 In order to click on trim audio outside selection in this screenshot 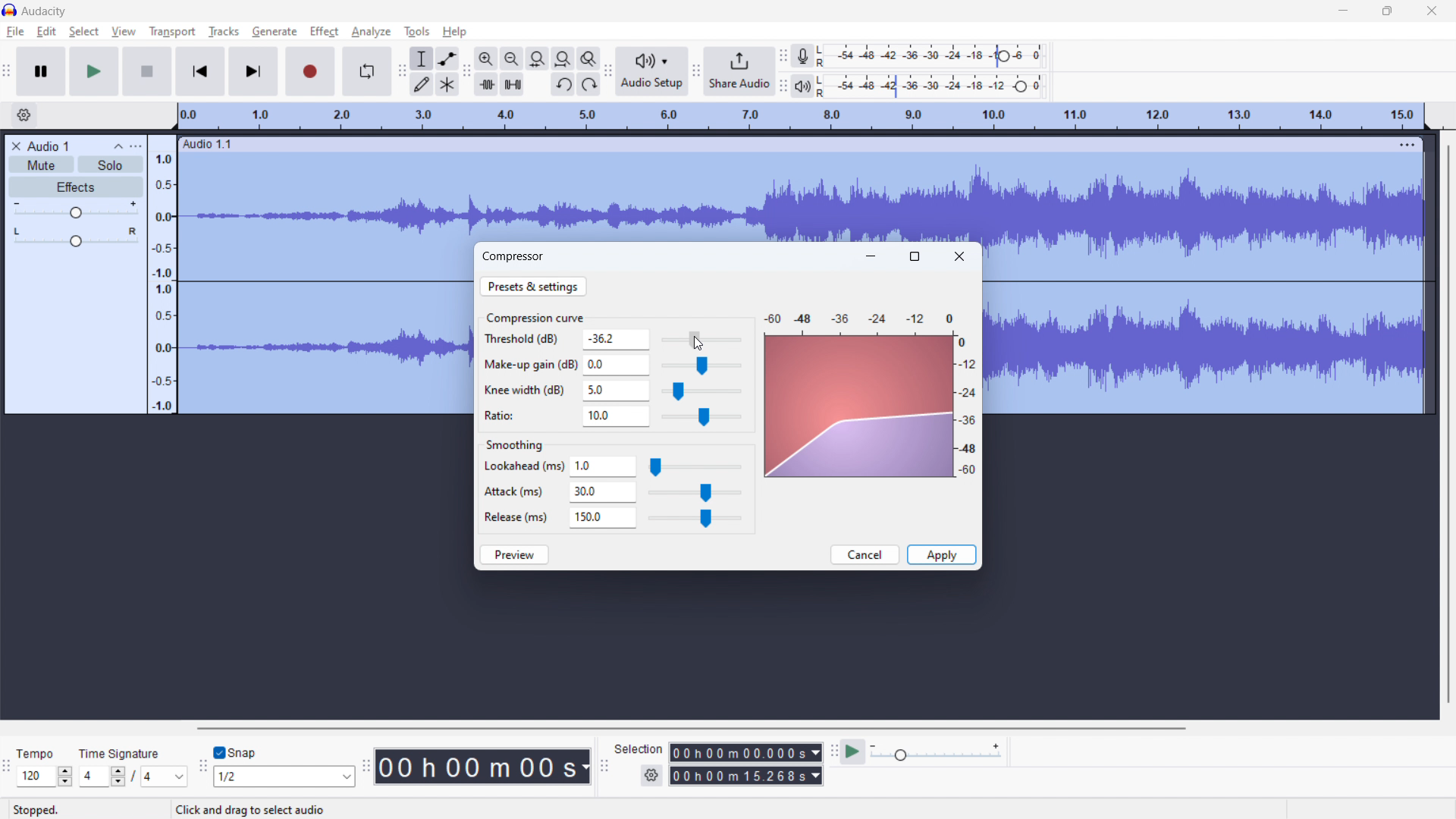, I will do `click(487, 84)`.